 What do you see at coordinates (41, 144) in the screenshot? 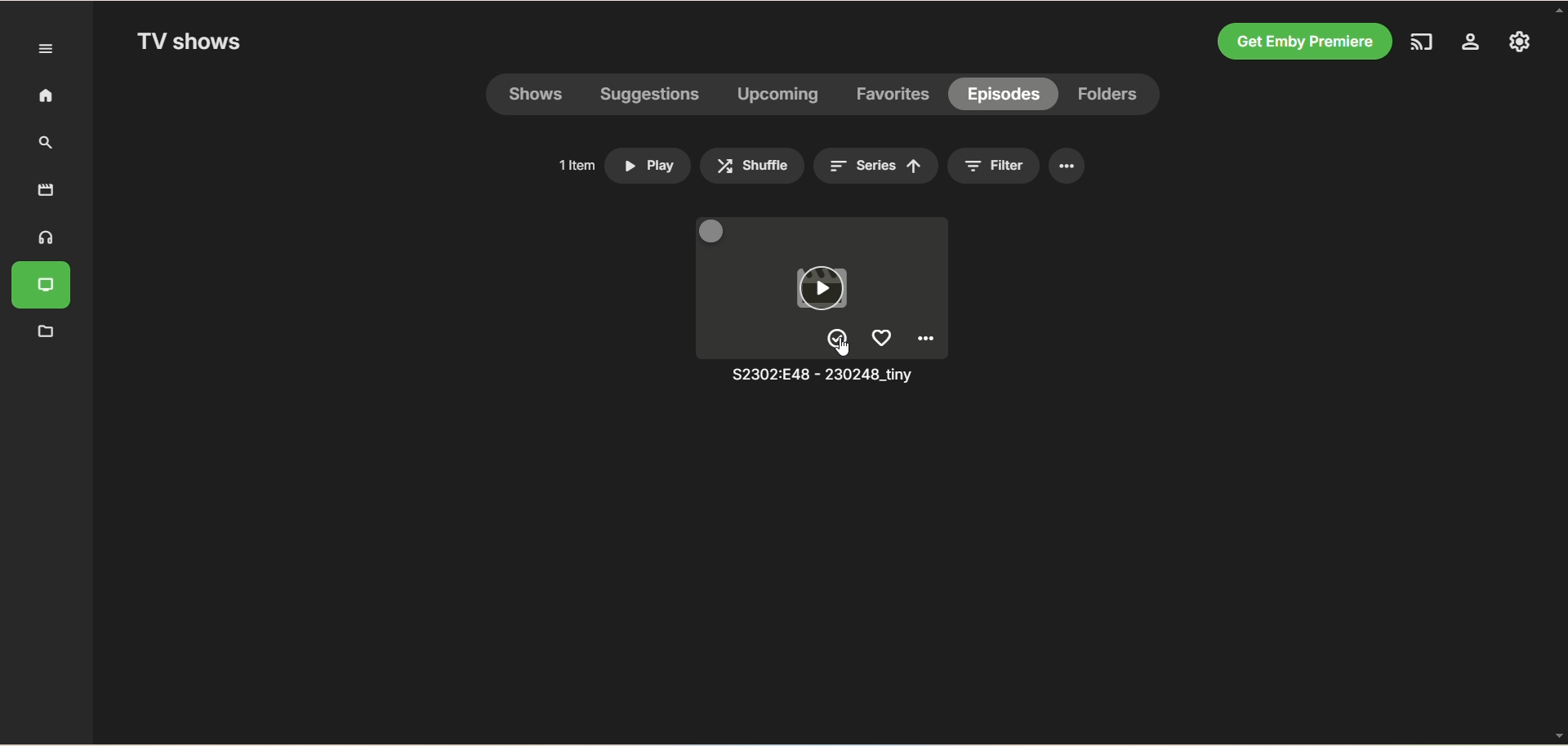
I see `search` at bounding box center [41, 144].